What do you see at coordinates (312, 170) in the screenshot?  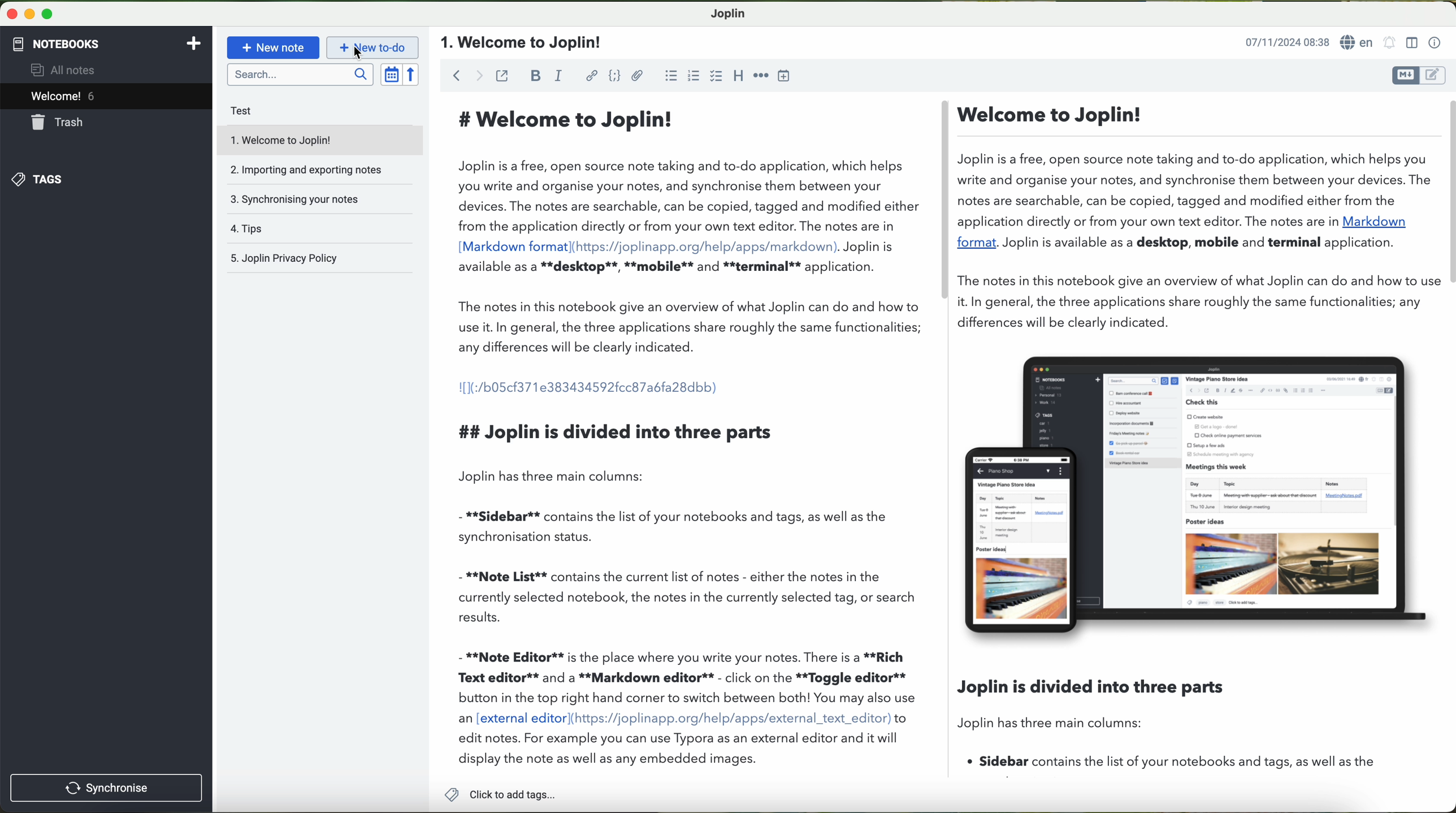 I see `importing and exporting notes` at bounding box center [312, 170].